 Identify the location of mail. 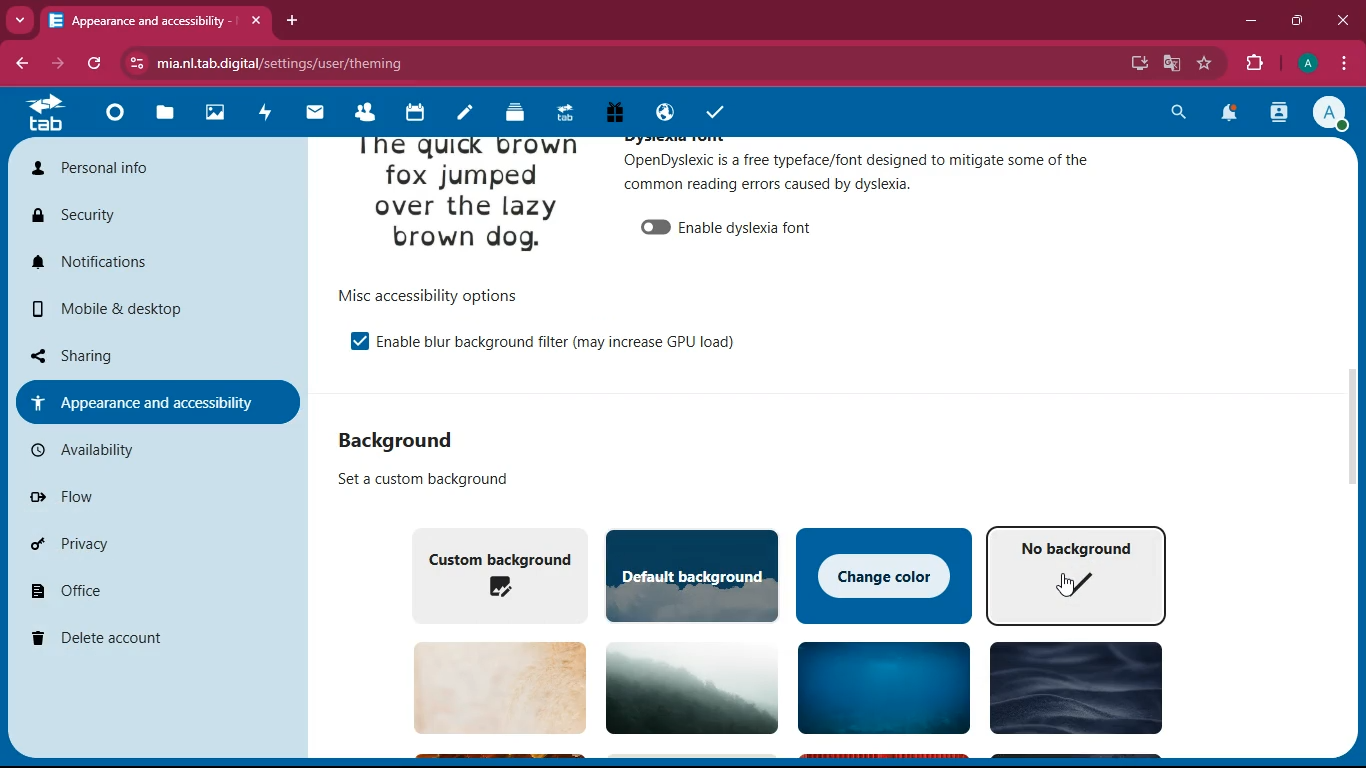
(313, 114).